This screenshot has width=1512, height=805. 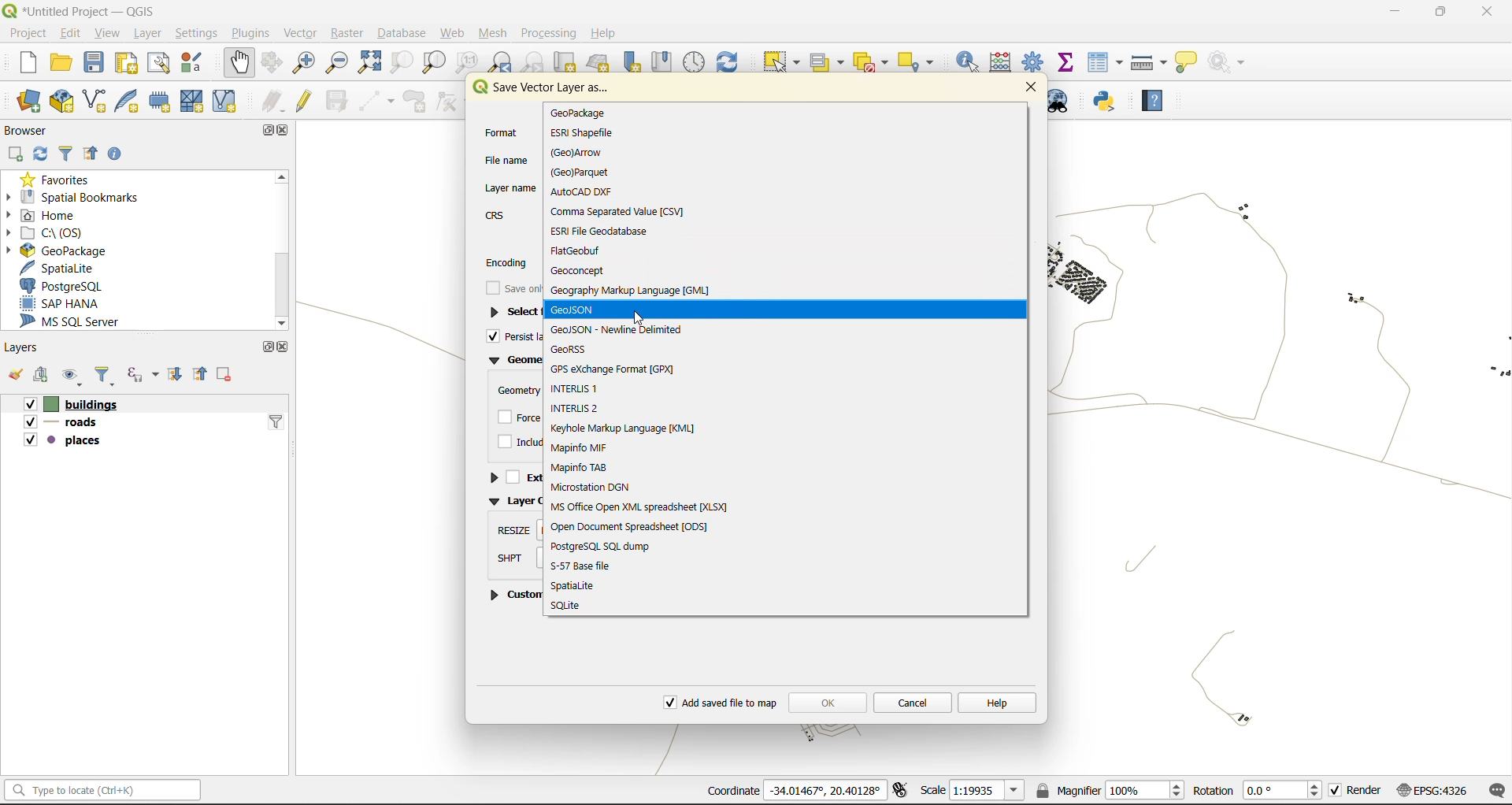 What do you see at coordinates (65, 269) in the screenshot?
I see `spatialite` at bounding box center [65, 269].